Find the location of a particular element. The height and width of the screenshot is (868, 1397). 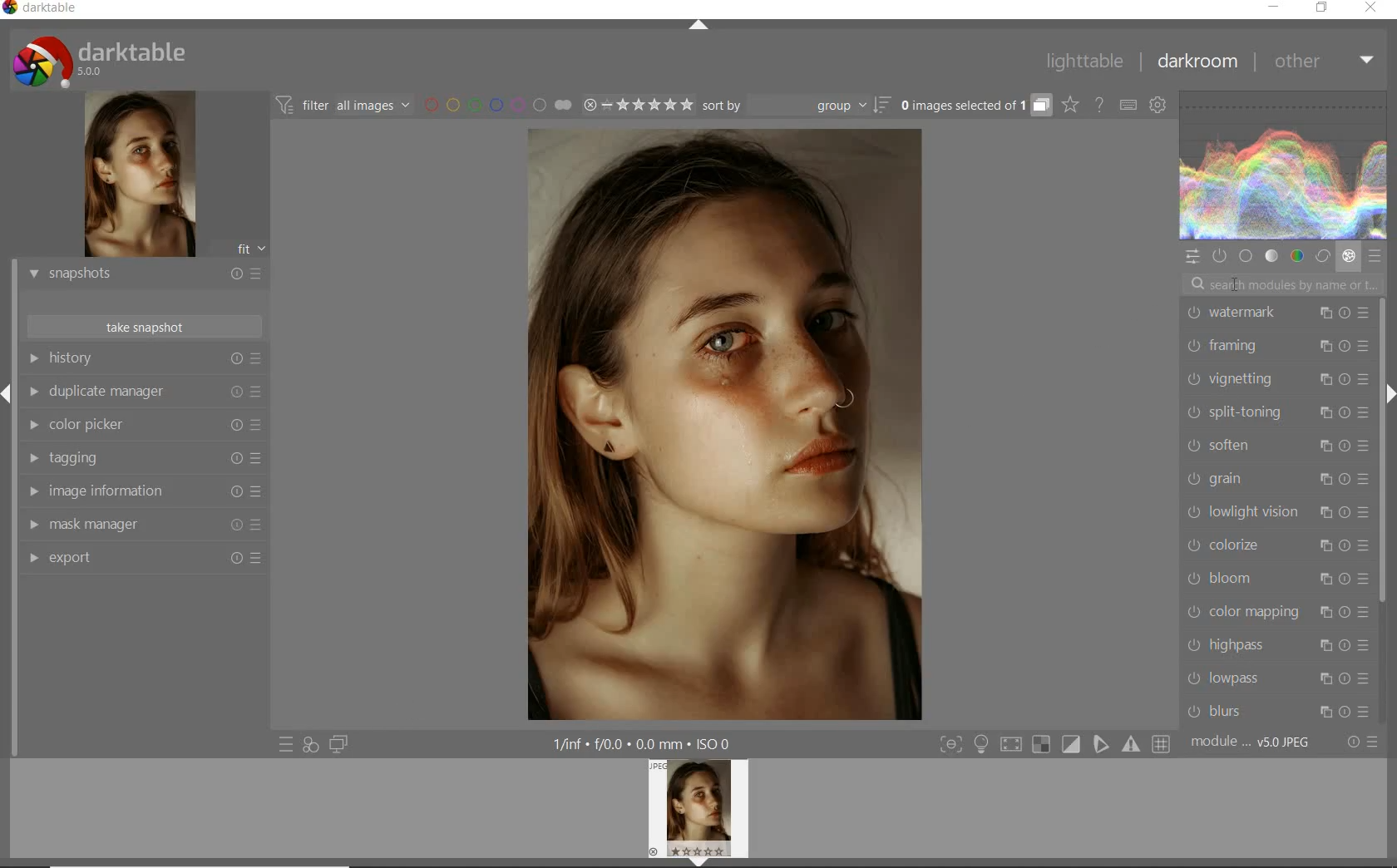

change overlays shown on thumbnails is located at coordinates (1069, 106).